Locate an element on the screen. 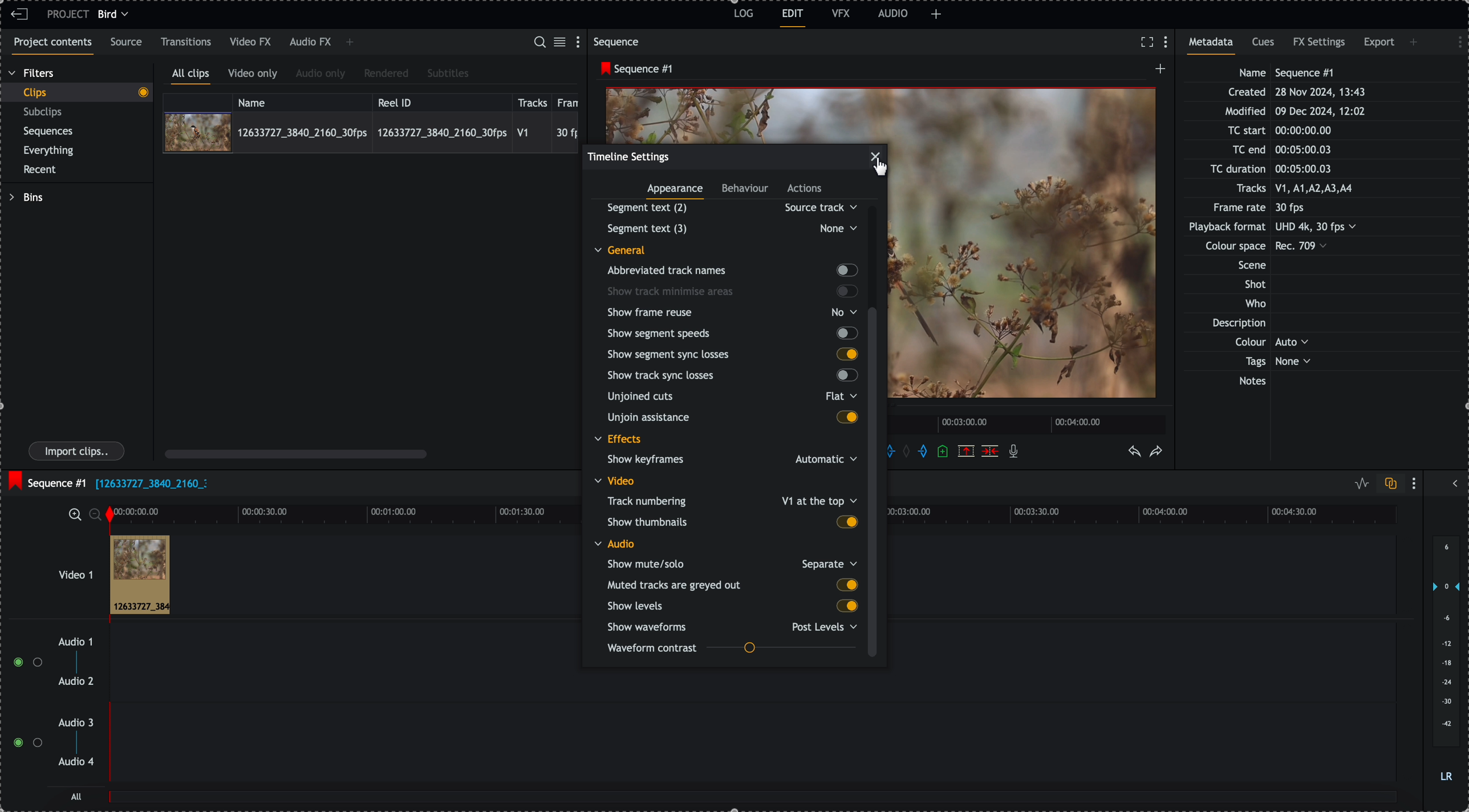  enable tracks is located at coordinates (23, 703).